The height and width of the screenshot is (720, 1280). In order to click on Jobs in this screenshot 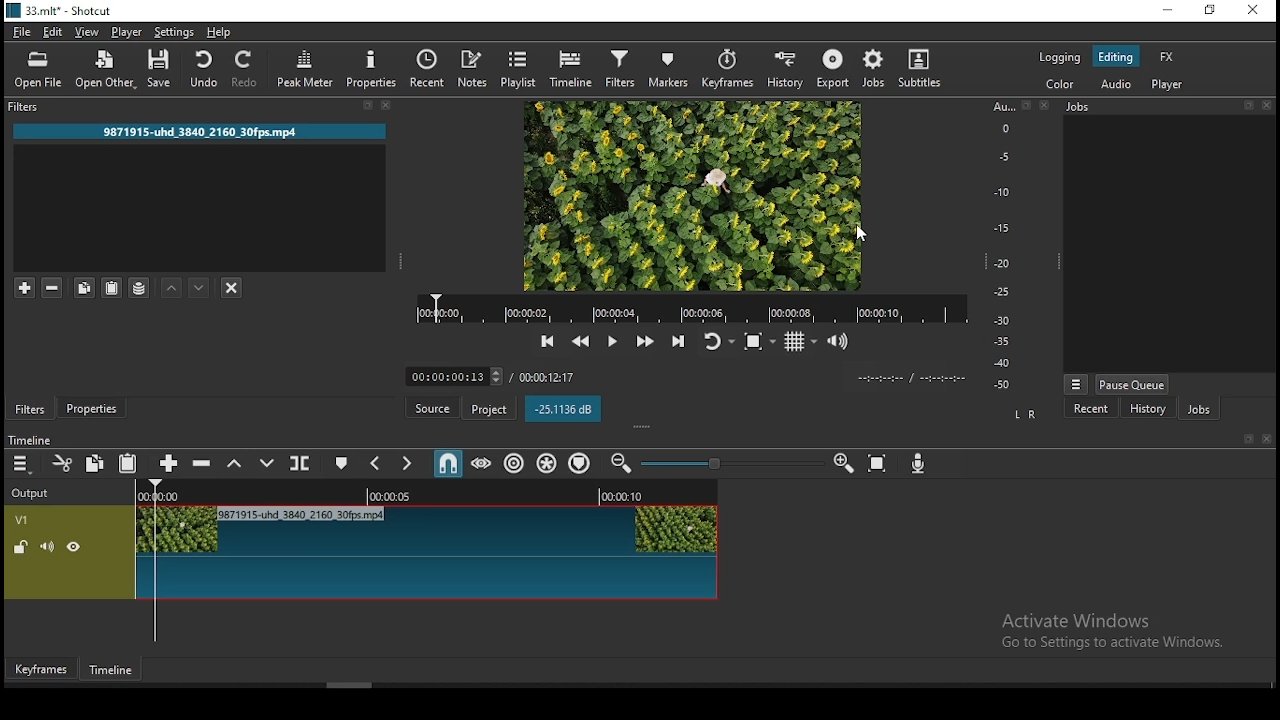, I will do `click(1088, 108)`.